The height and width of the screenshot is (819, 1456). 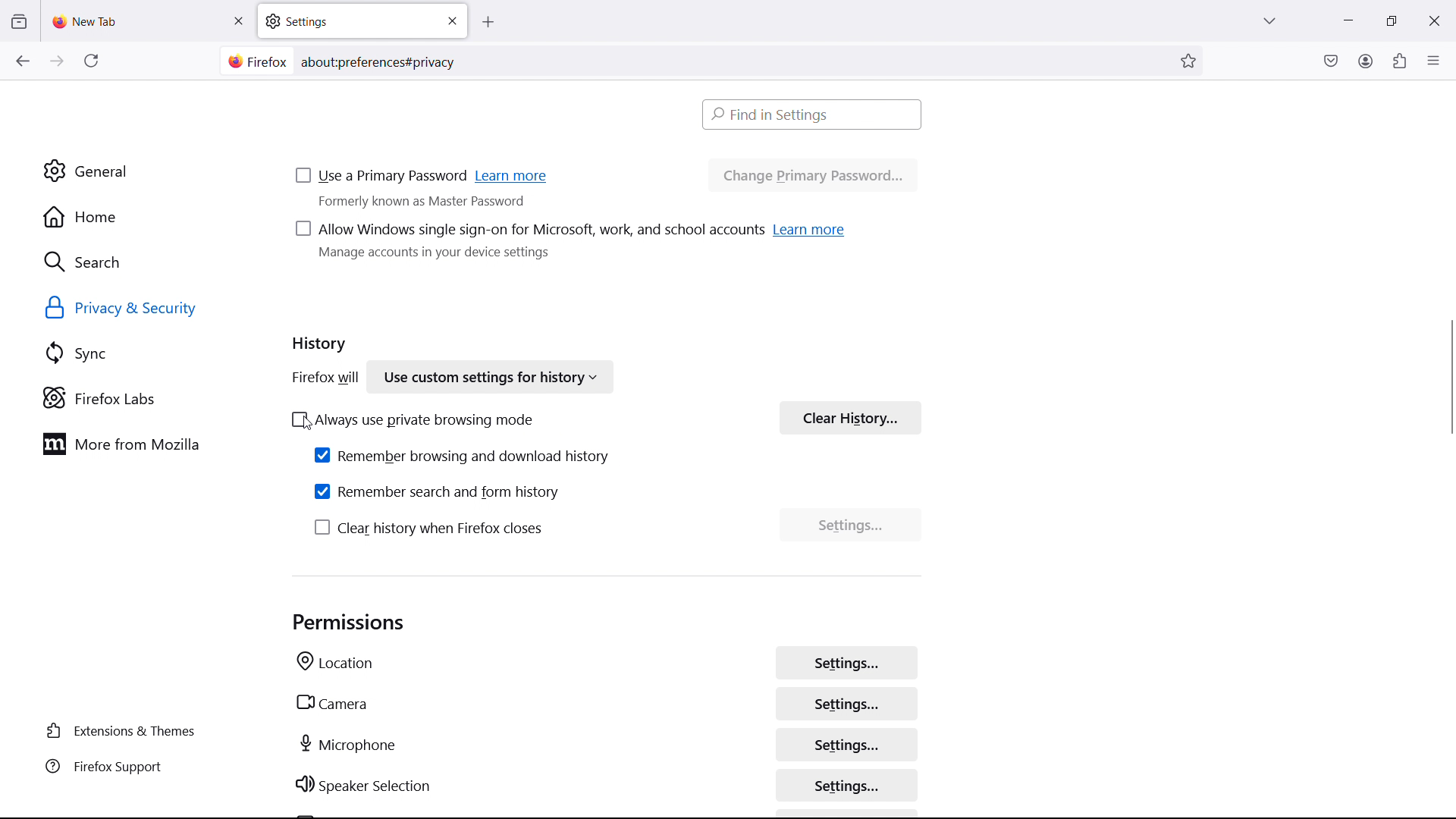 What do you see at coordinates (812, 177) in the screenshot?
I see `change primary password` at bounding box center [812, 177].